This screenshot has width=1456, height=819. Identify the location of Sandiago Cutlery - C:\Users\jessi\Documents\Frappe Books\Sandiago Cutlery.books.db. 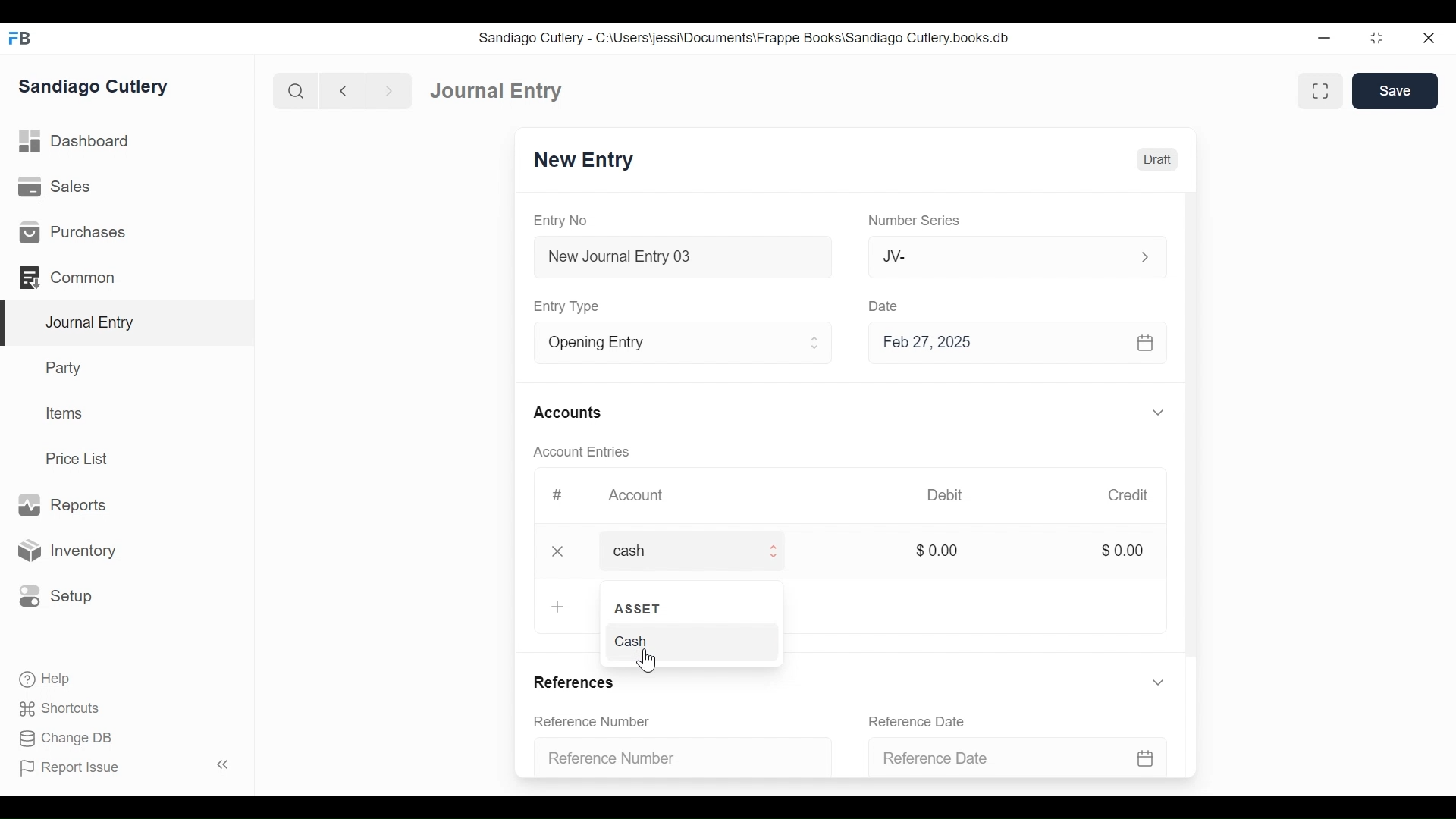
(745, 37).